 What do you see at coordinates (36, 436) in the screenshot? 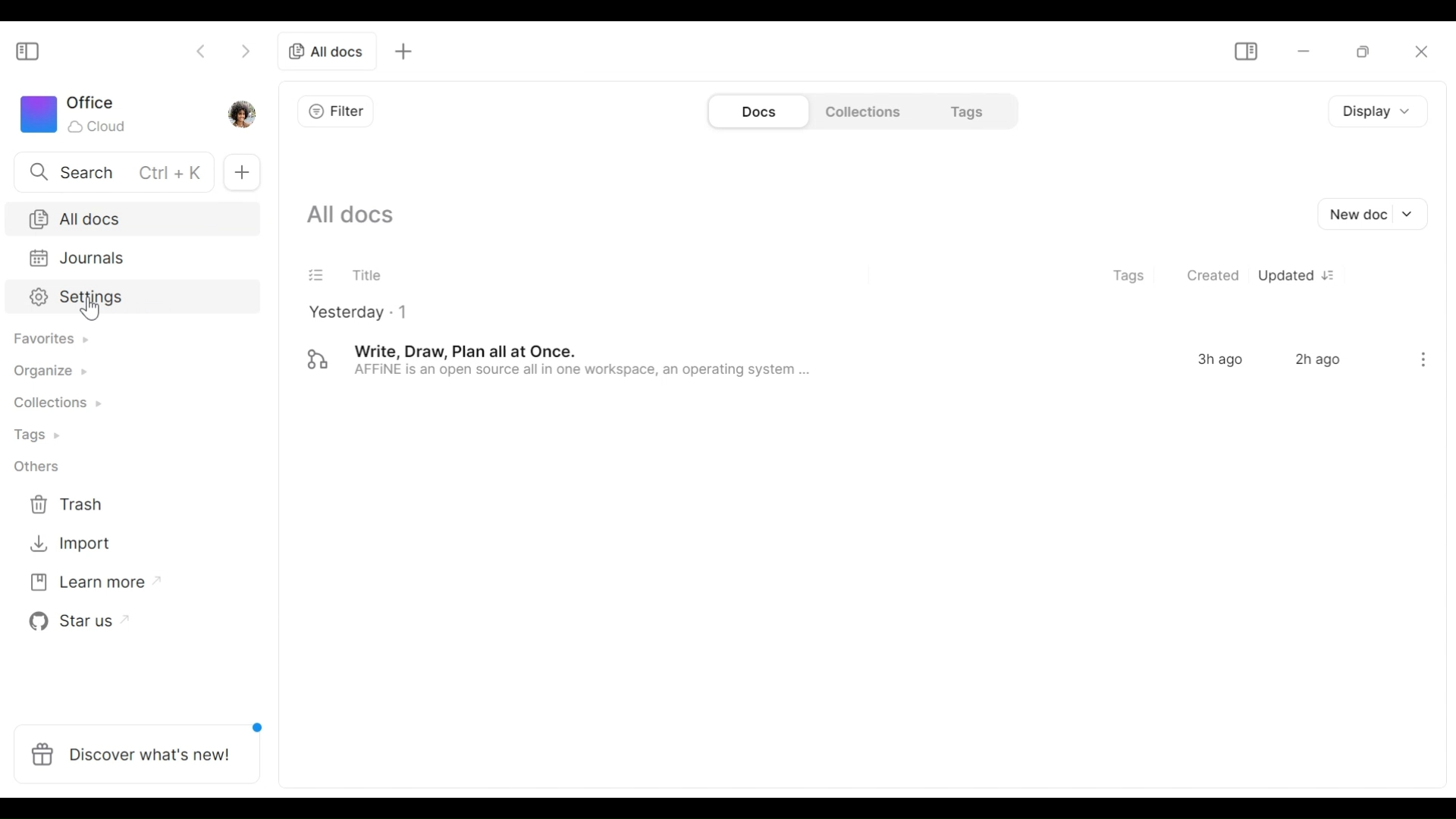
I see `Tags` at bounding box center [36, 436].